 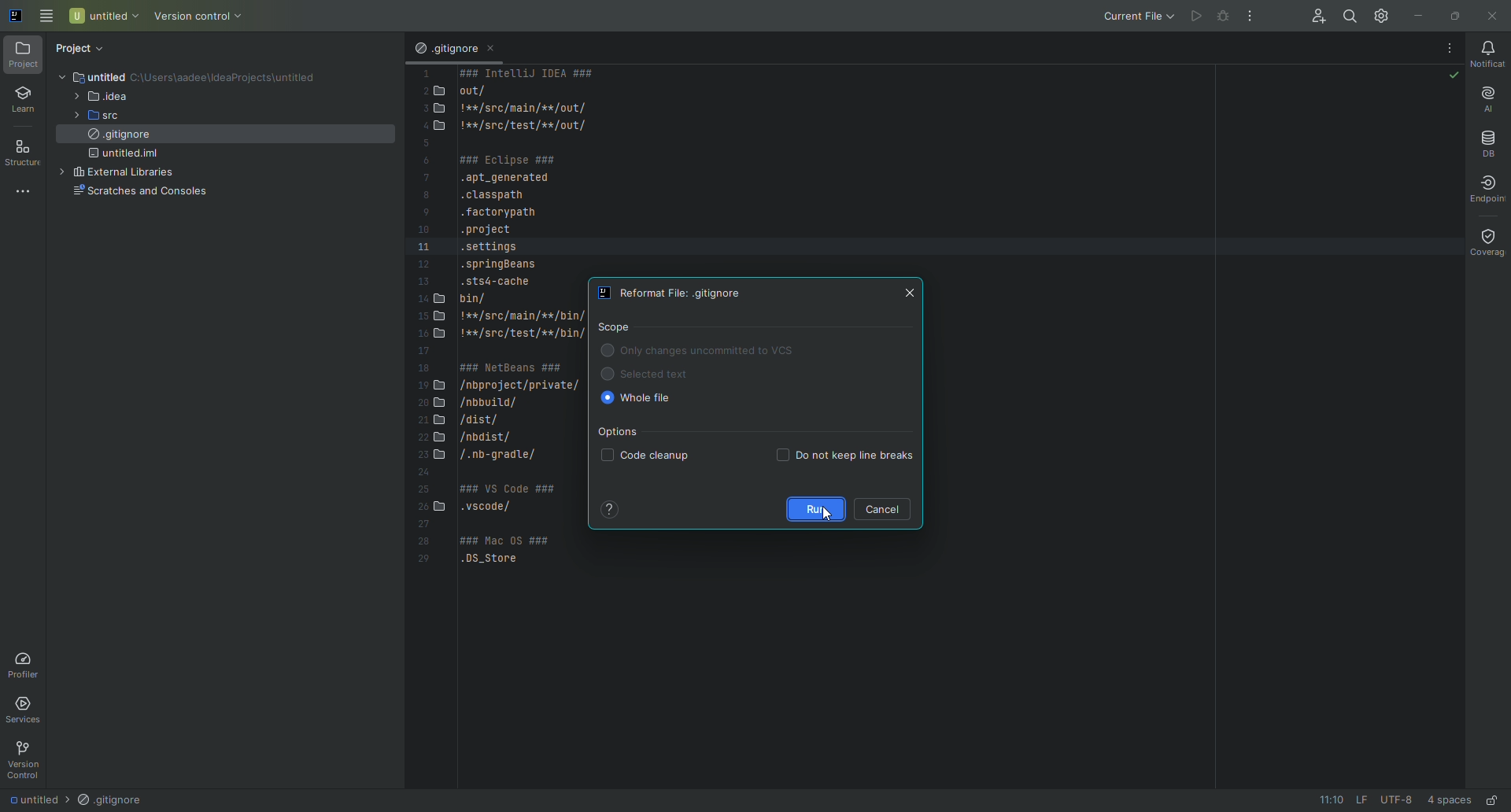 What do you see at coordinates (29, 799) in the screenshot?
I see `Untitled` at bounding box center [29, 799].